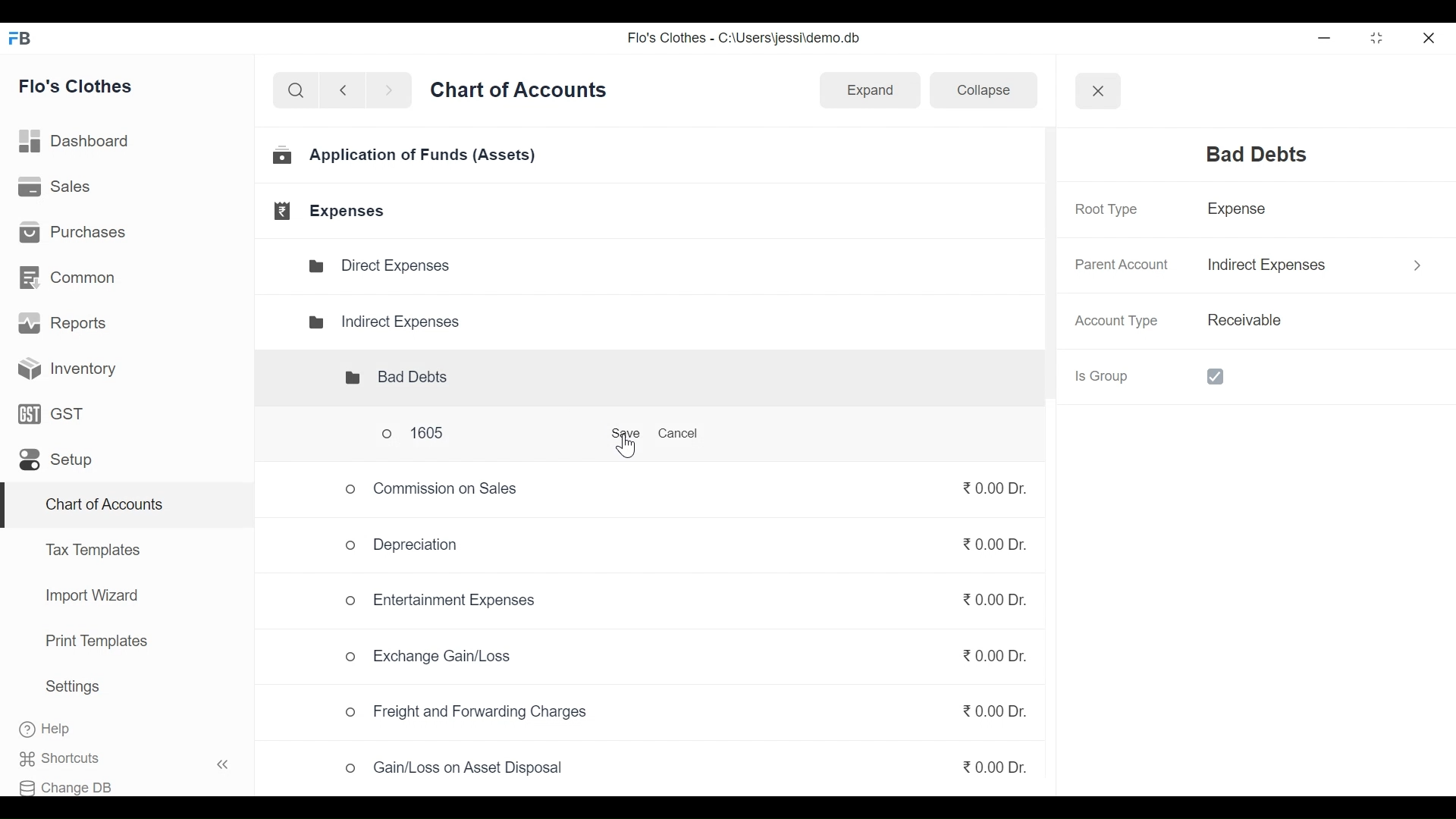 This screenshot has height=819, width=1456. Describe the element at coordinates (1163, 375) in the screenshot. I see `Is Group` at that location.